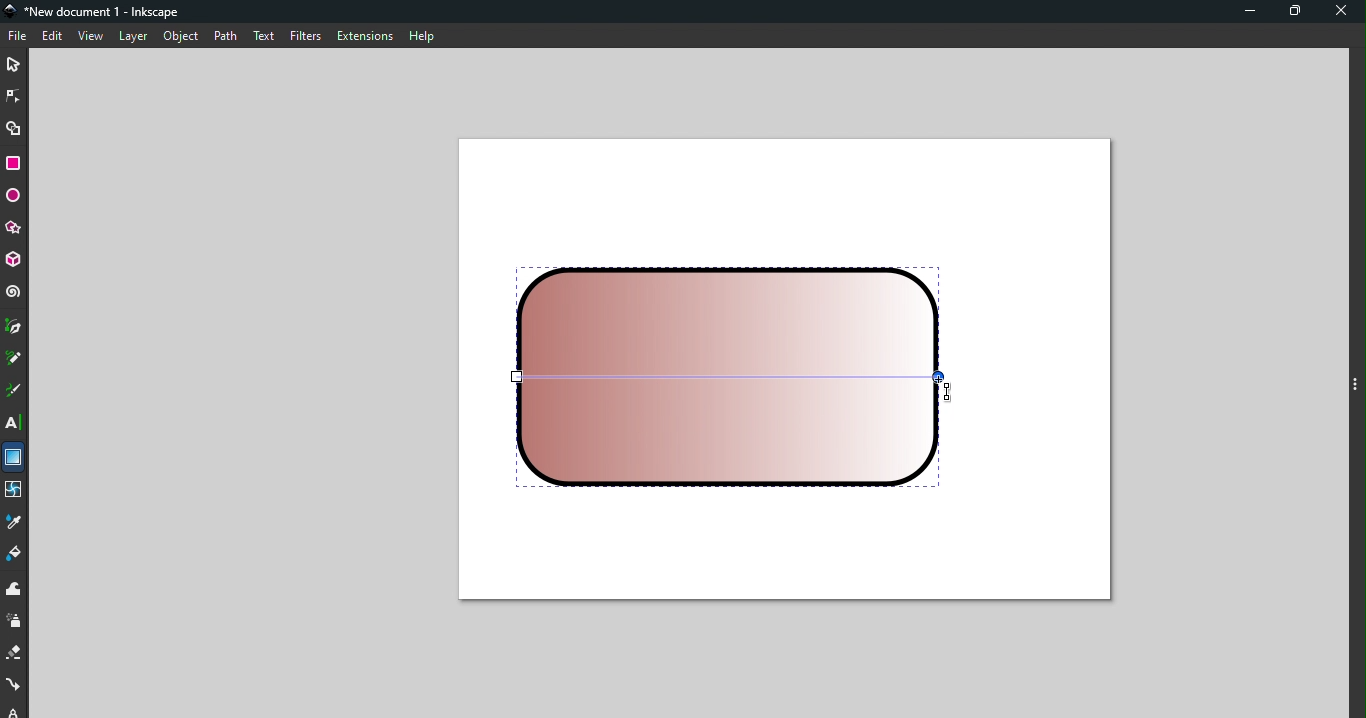 The image size is (1366, 718). What do you see at coordinates (18, 36) in the screenshot?
I see `File` at bounding box center [18, 36].